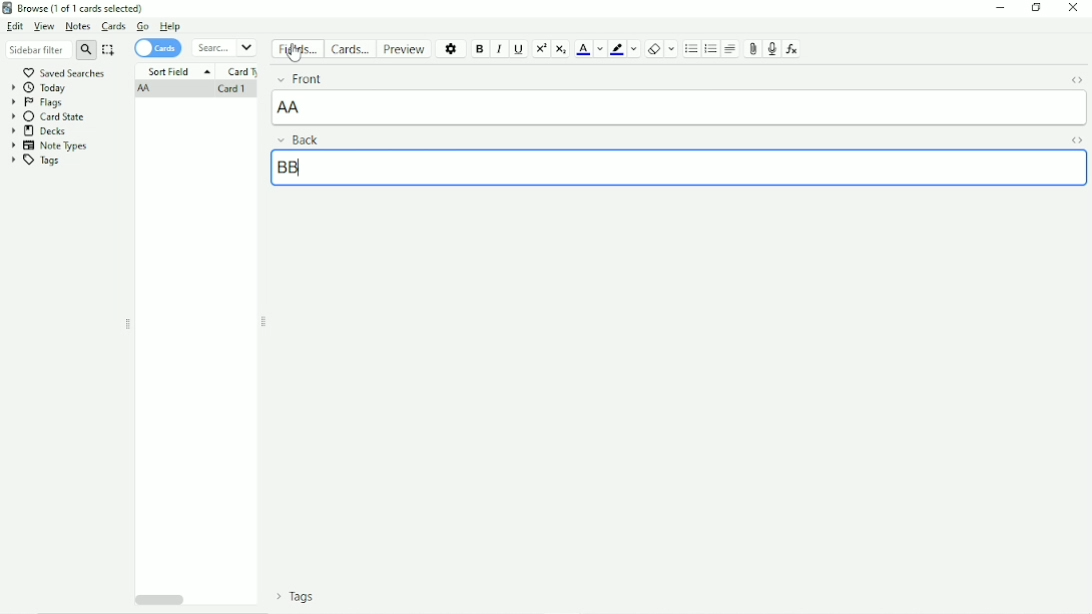  What do you see at coordinates (44, 27) in the screenshot?
I see `View` at bounding box center [44, 27].